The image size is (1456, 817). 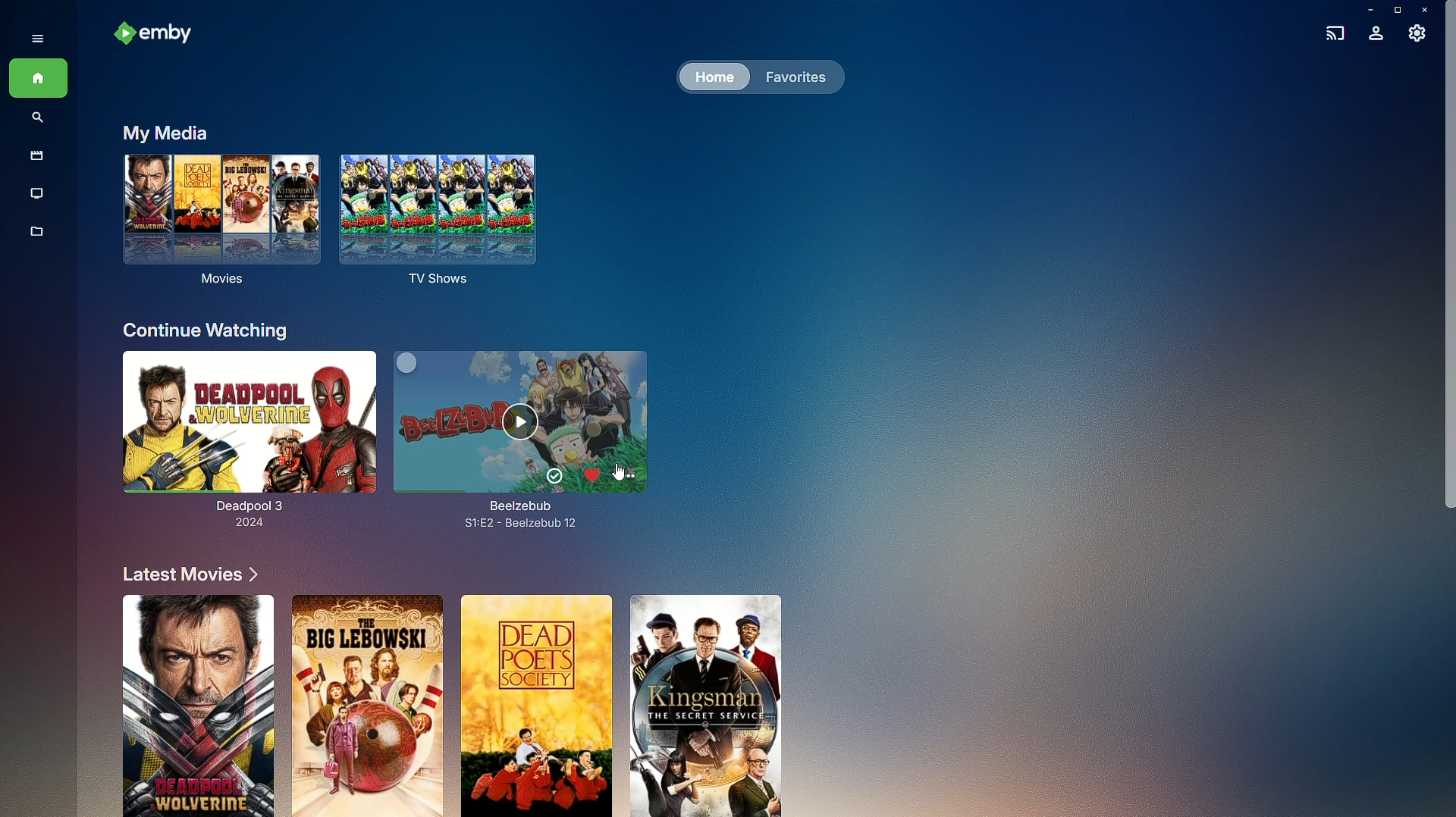 I want to click on Cast, so click(x=1332, y=31).